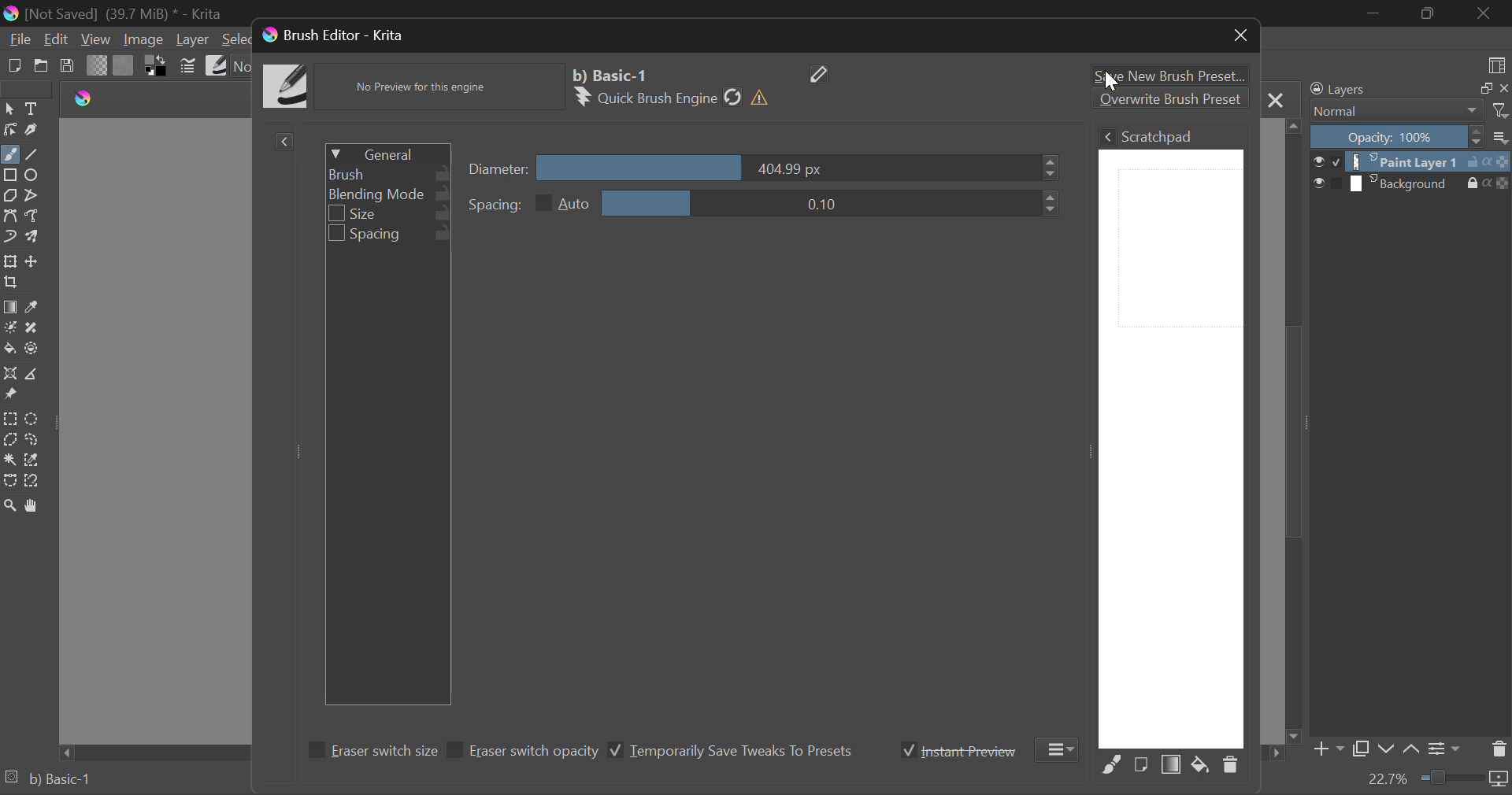 This screenshot has height=795, width=1512. Describe the element at coordinates (388, 194) in the screenshot. I see `Blending Mode` at that location.